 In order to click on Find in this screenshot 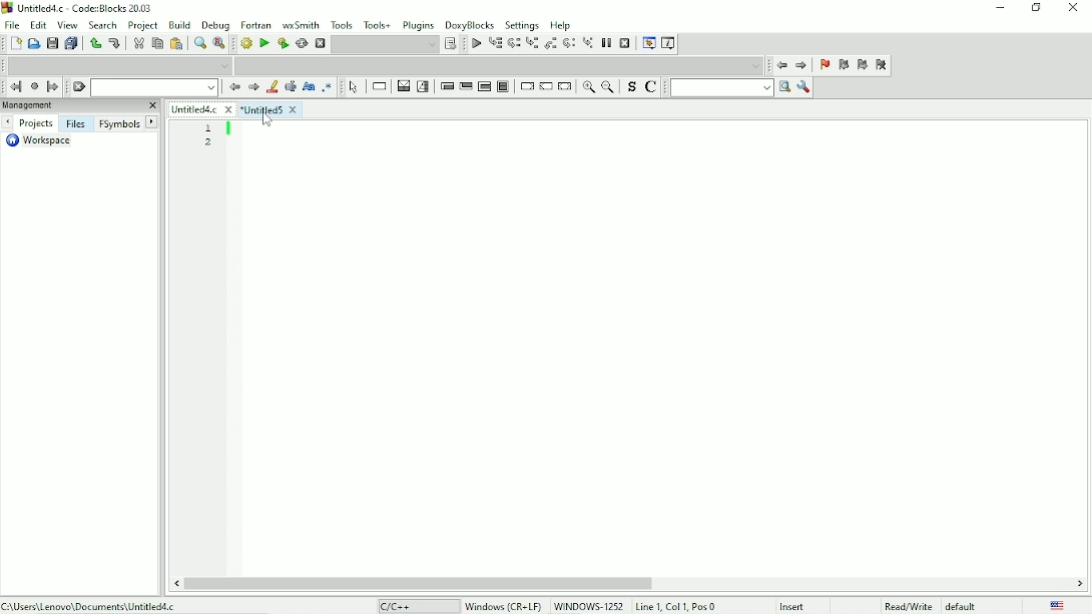, I will do `click(199, 44)`.